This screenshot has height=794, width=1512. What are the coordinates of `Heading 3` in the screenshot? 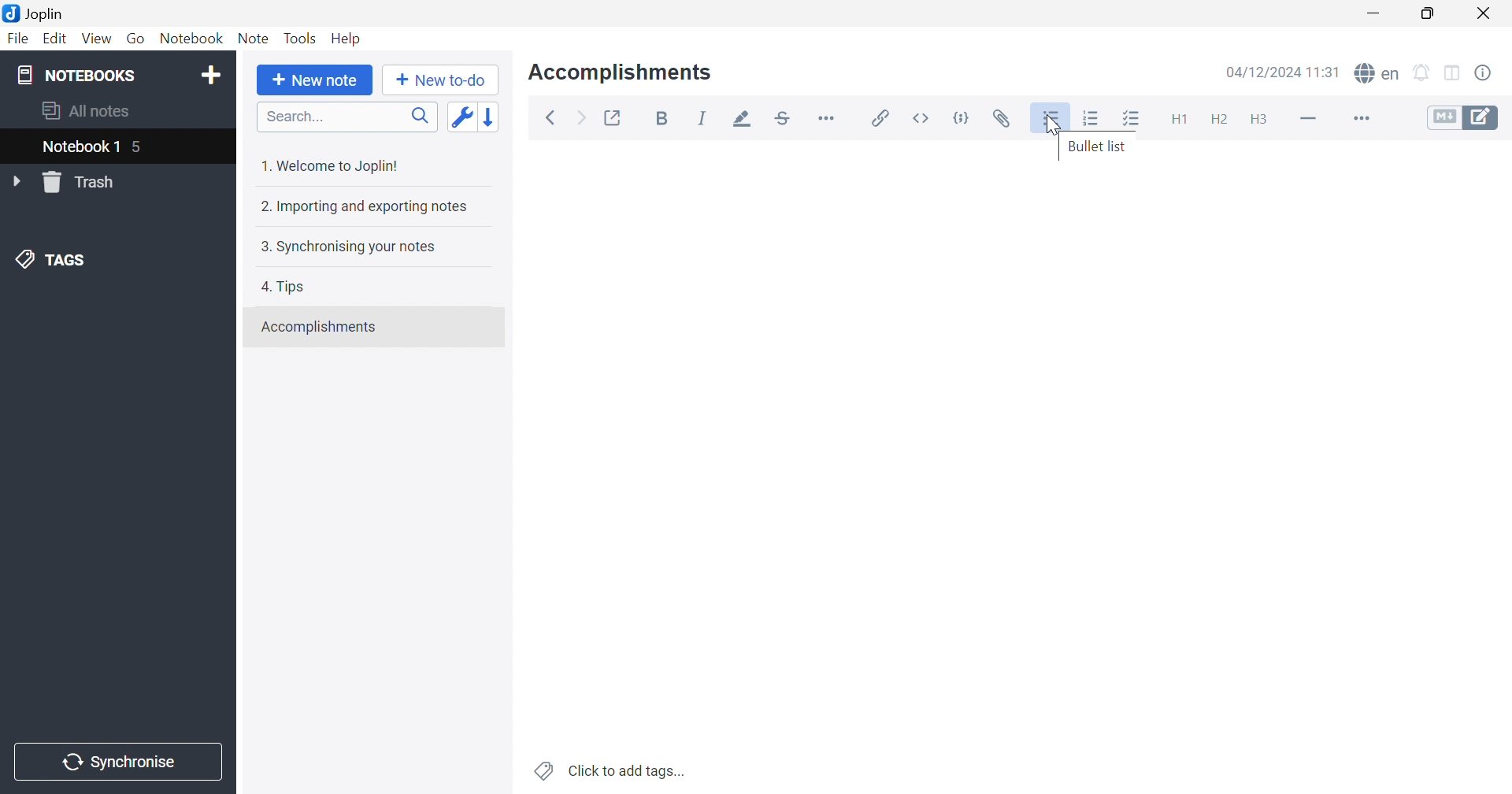 It's located at (1262, 118).